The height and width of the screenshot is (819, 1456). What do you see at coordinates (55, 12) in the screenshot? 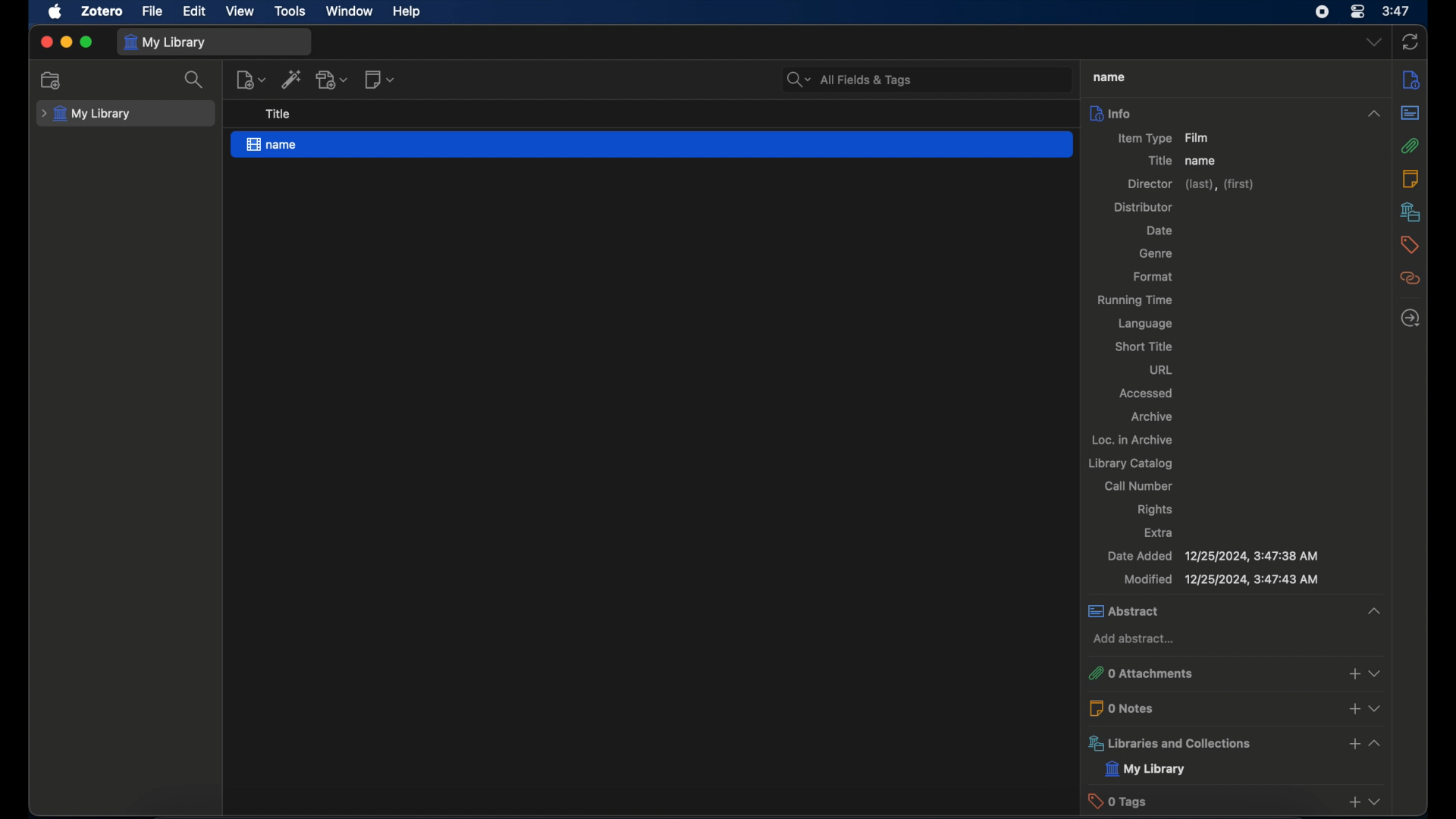
I see `apple` at bounding box center [55, 12].